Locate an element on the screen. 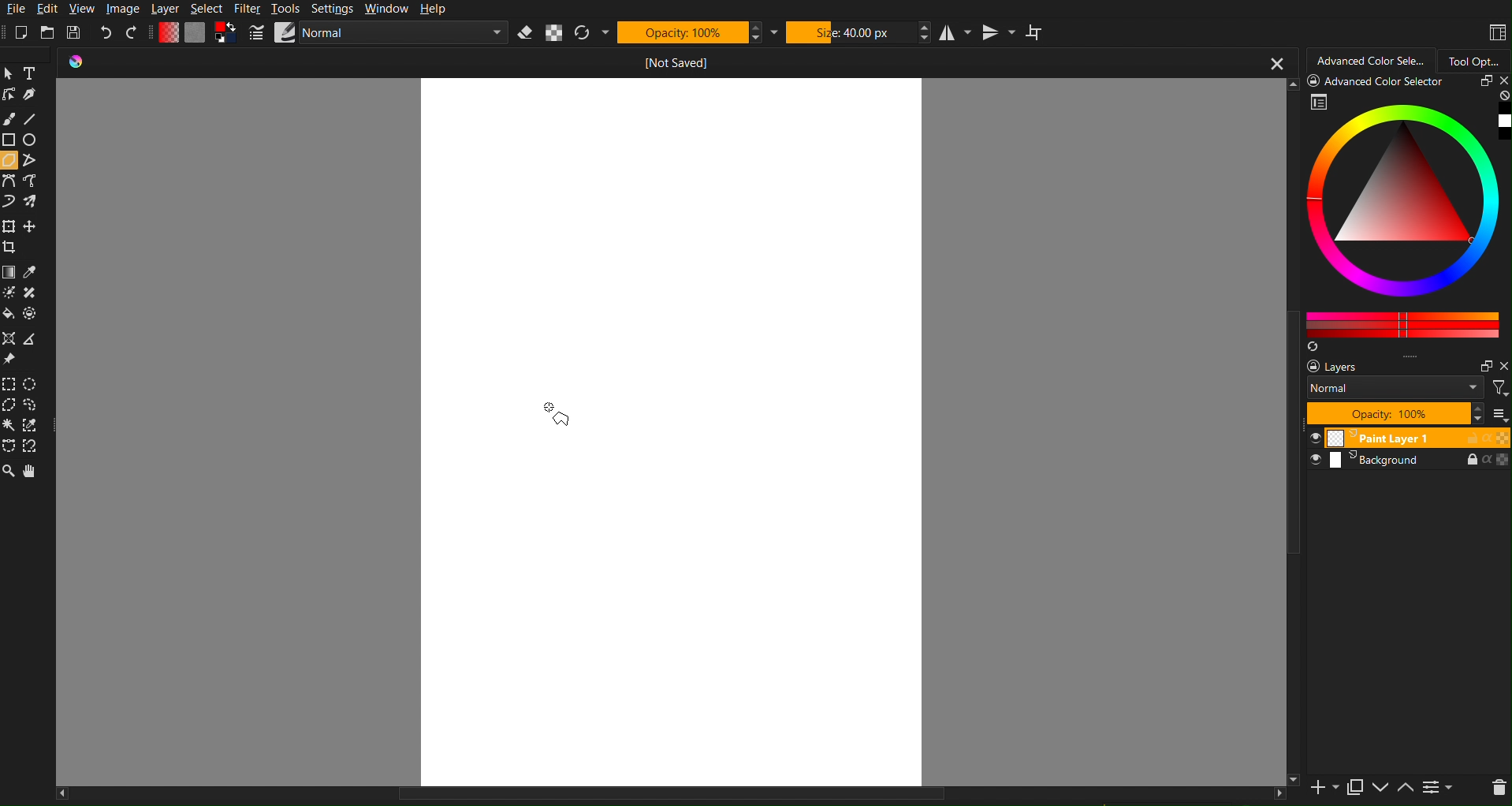  opacity: 100% is located at coordinates (681, 32).